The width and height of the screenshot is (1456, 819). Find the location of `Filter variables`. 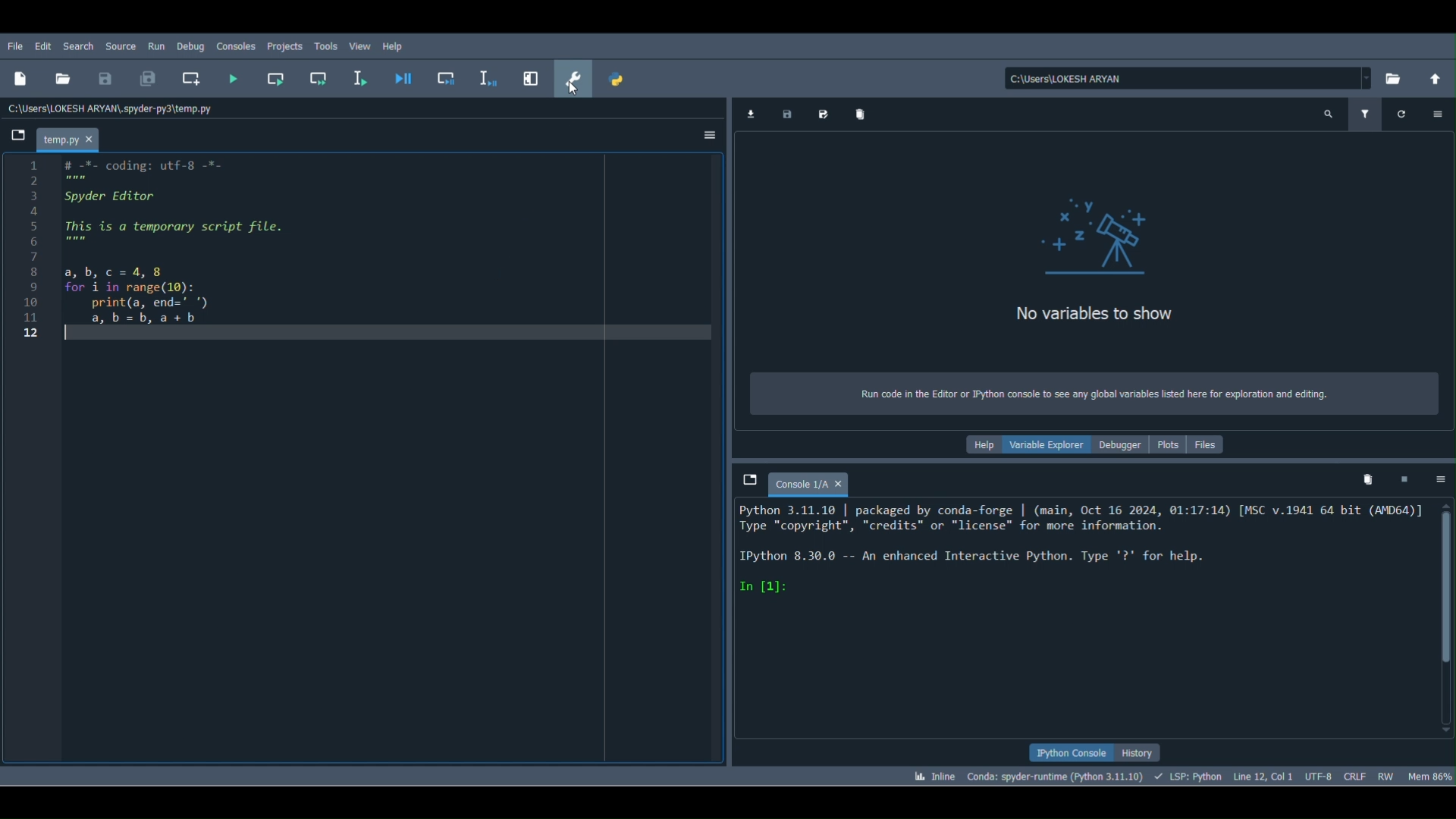

Filter variables is located at coordinates (1371, 116).